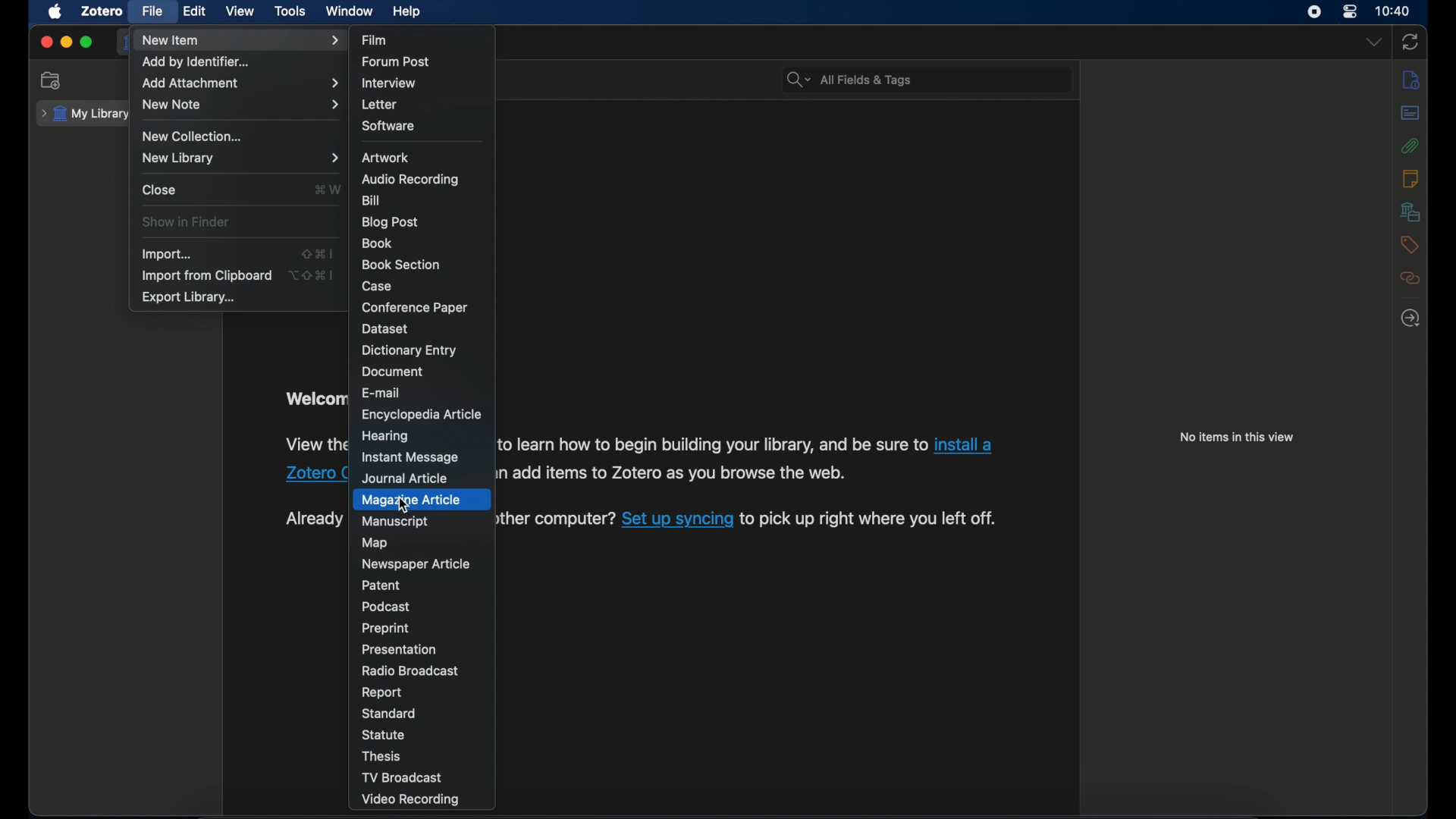 Image resolution: width=1456 pixels, height=819 pixels. Describe the element at coordinates (196, 10) in the screenshot. I see `edit` at that location.